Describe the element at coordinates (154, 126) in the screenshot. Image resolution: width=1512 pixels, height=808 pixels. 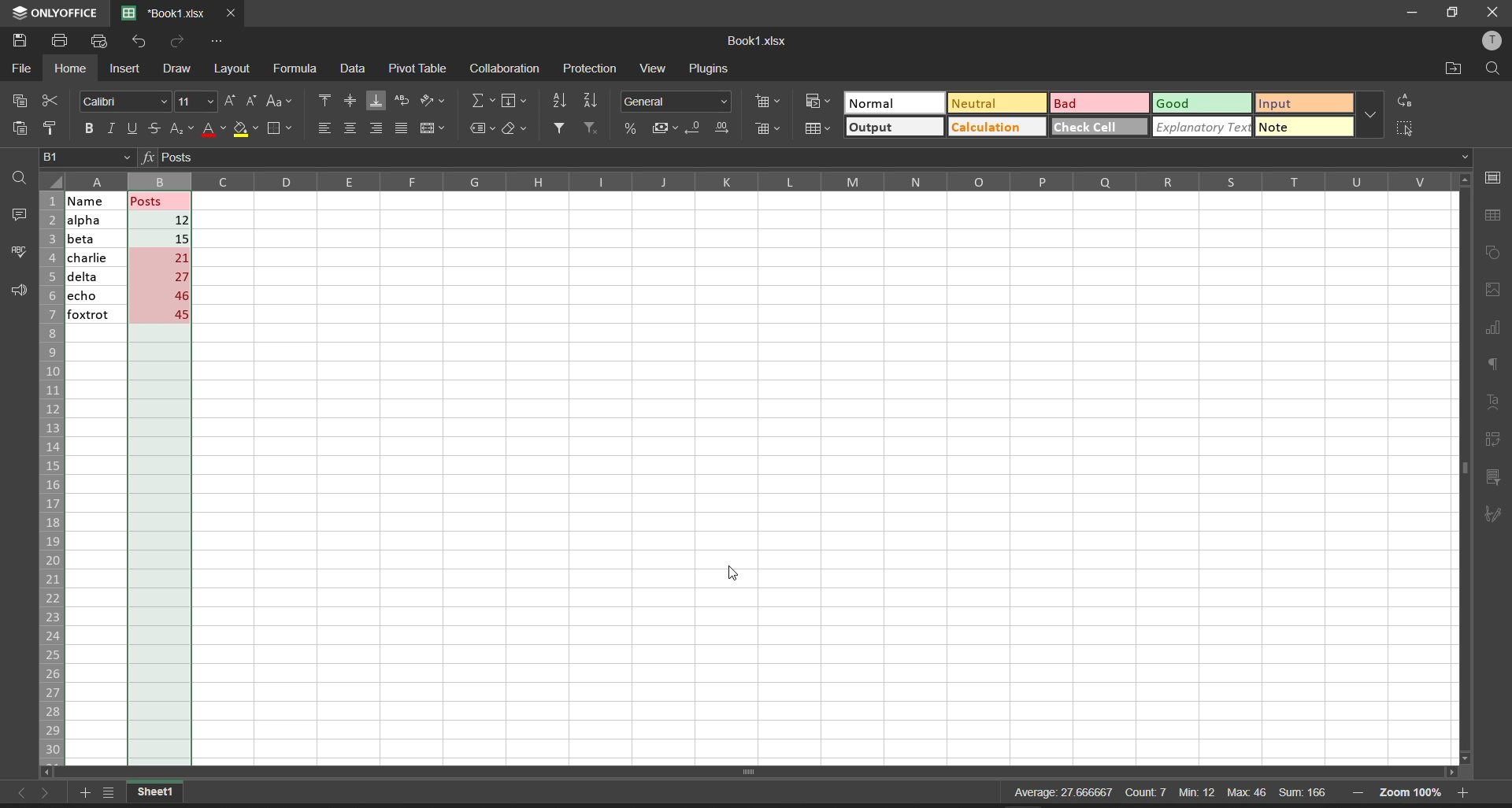
I see `strikethrough` at that location.